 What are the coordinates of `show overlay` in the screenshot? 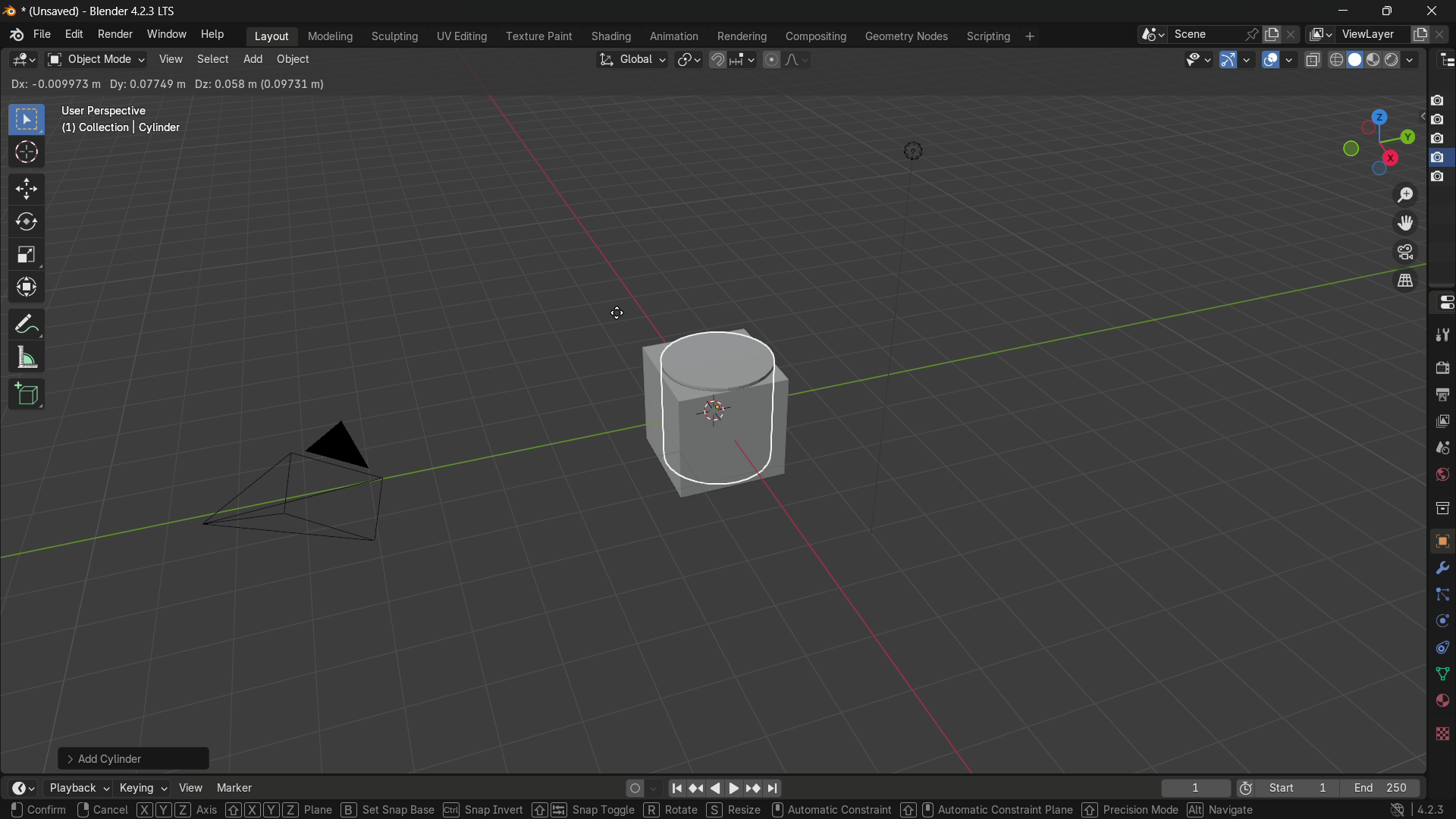 It's located at (1272, 60).